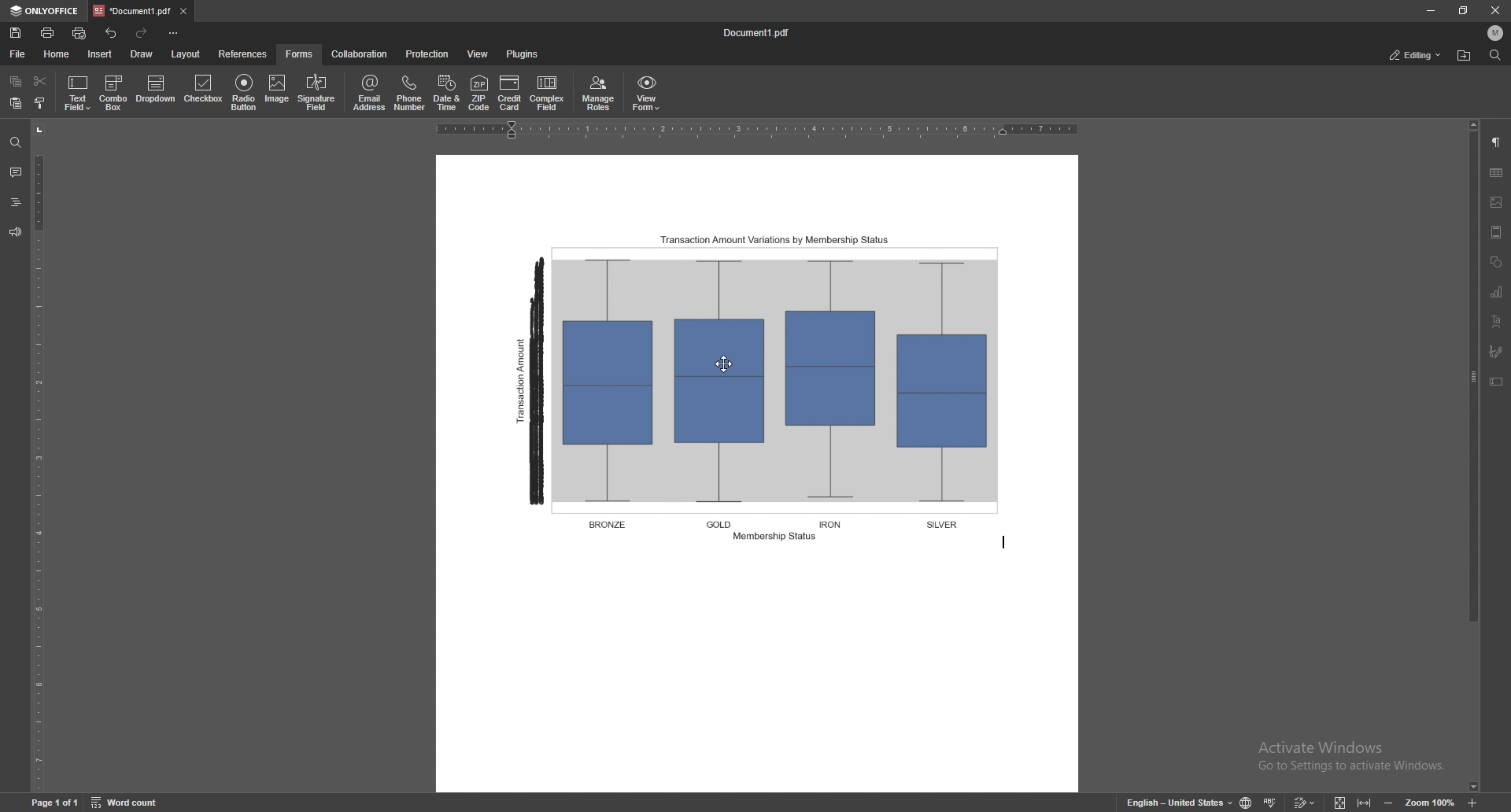  What do you see at coordinates (19, 54) in the screenshot?
I see `file` at bounding box center [19, 54].